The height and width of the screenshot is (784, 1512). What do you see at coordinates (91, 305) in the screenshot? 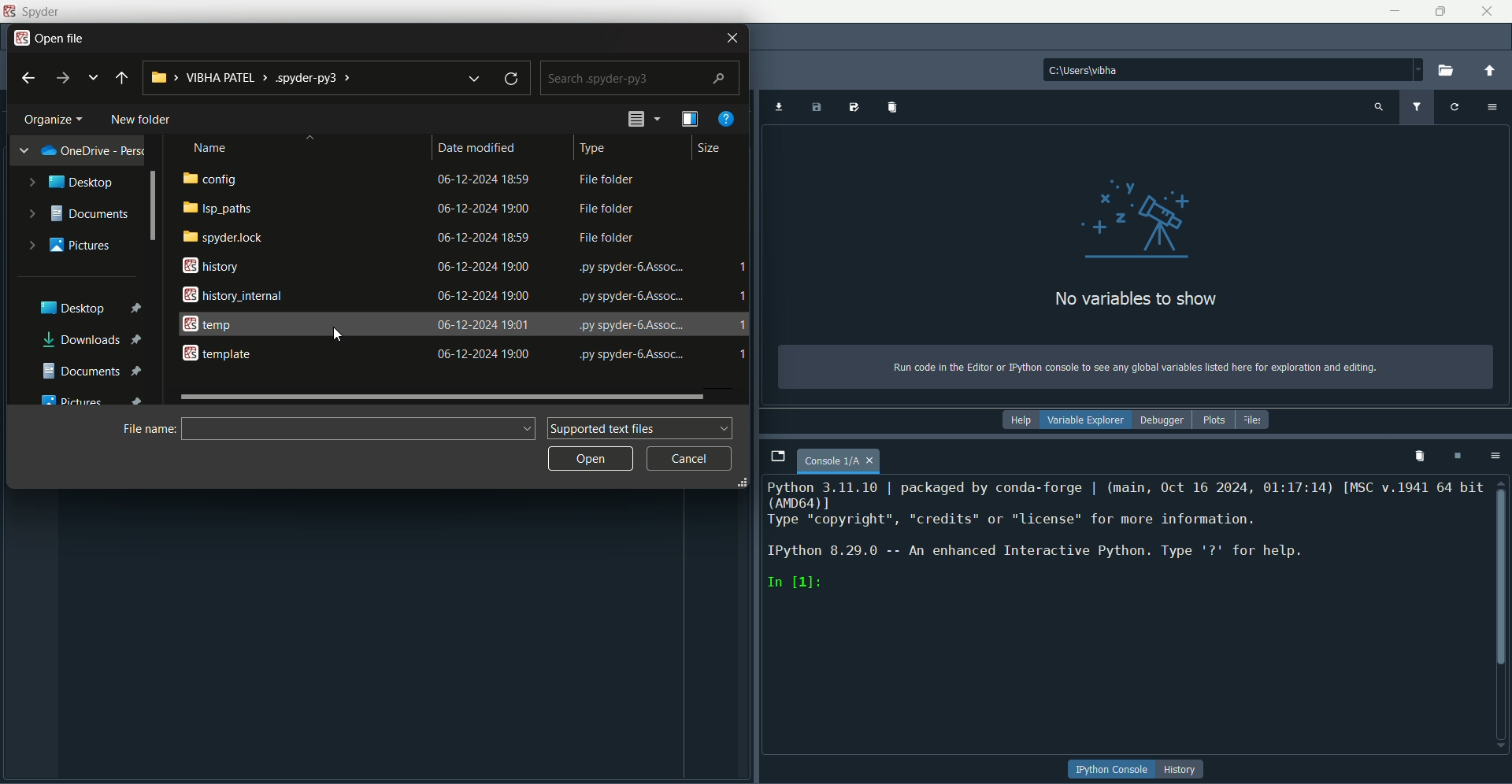
I see `desktop` at bounding box center [91, 305].